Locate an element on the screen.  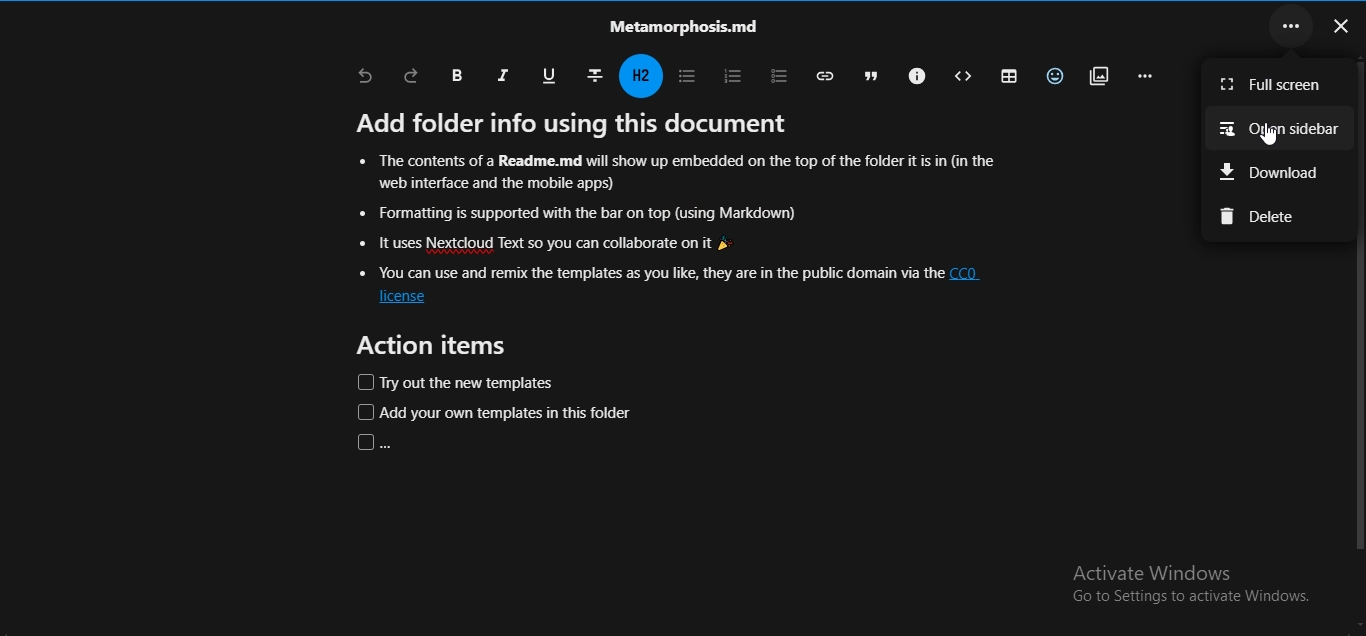
insert link is located at coordinates (823, 75).